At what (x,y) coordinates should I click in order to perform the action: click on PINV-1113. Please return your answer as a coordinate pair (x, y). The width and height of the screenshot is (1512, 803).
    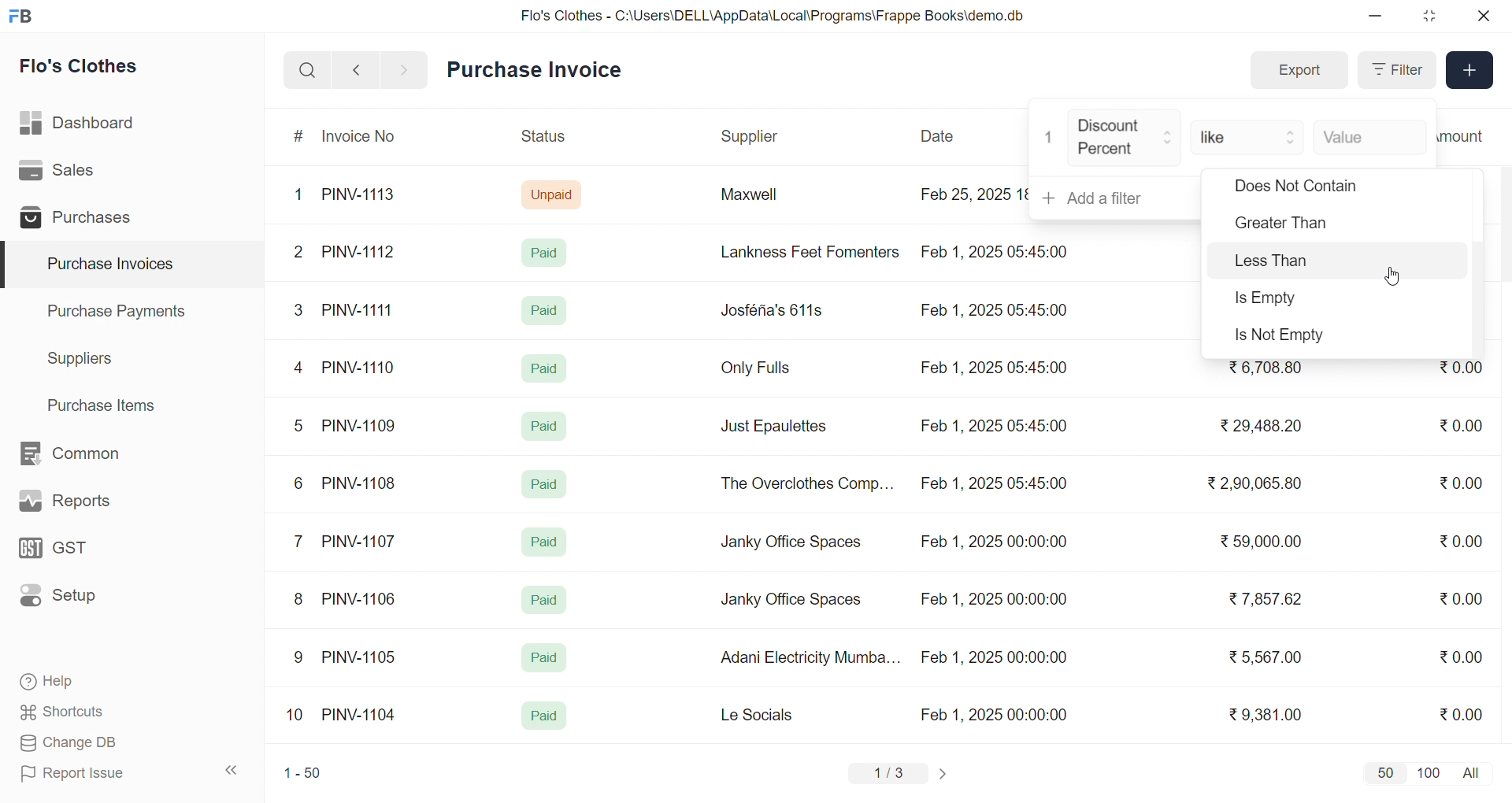
    Looking at the image, I should click on (365, 196).